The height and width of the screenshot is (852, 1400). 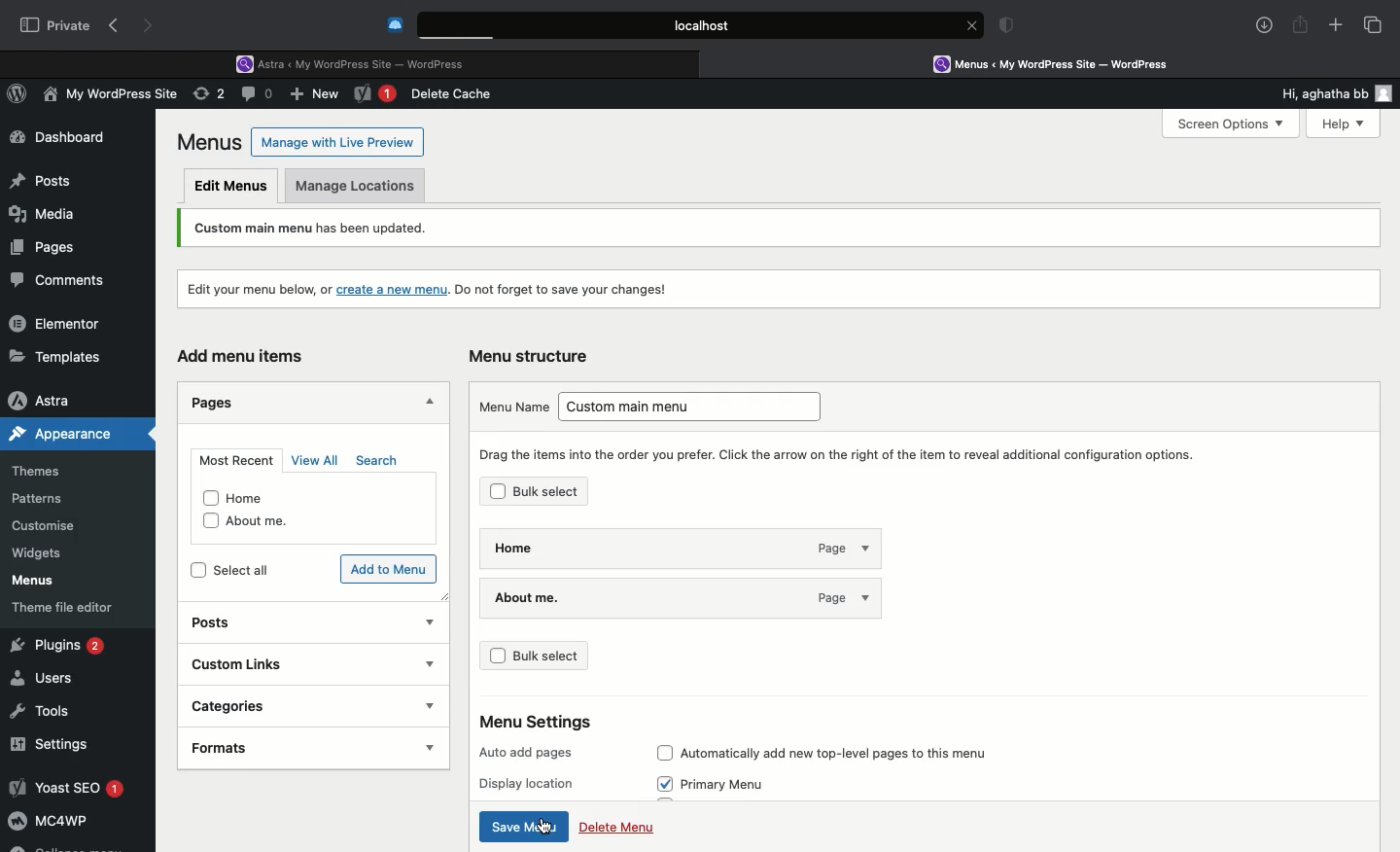 I want to click on Themes, so click(x=50, y=472).